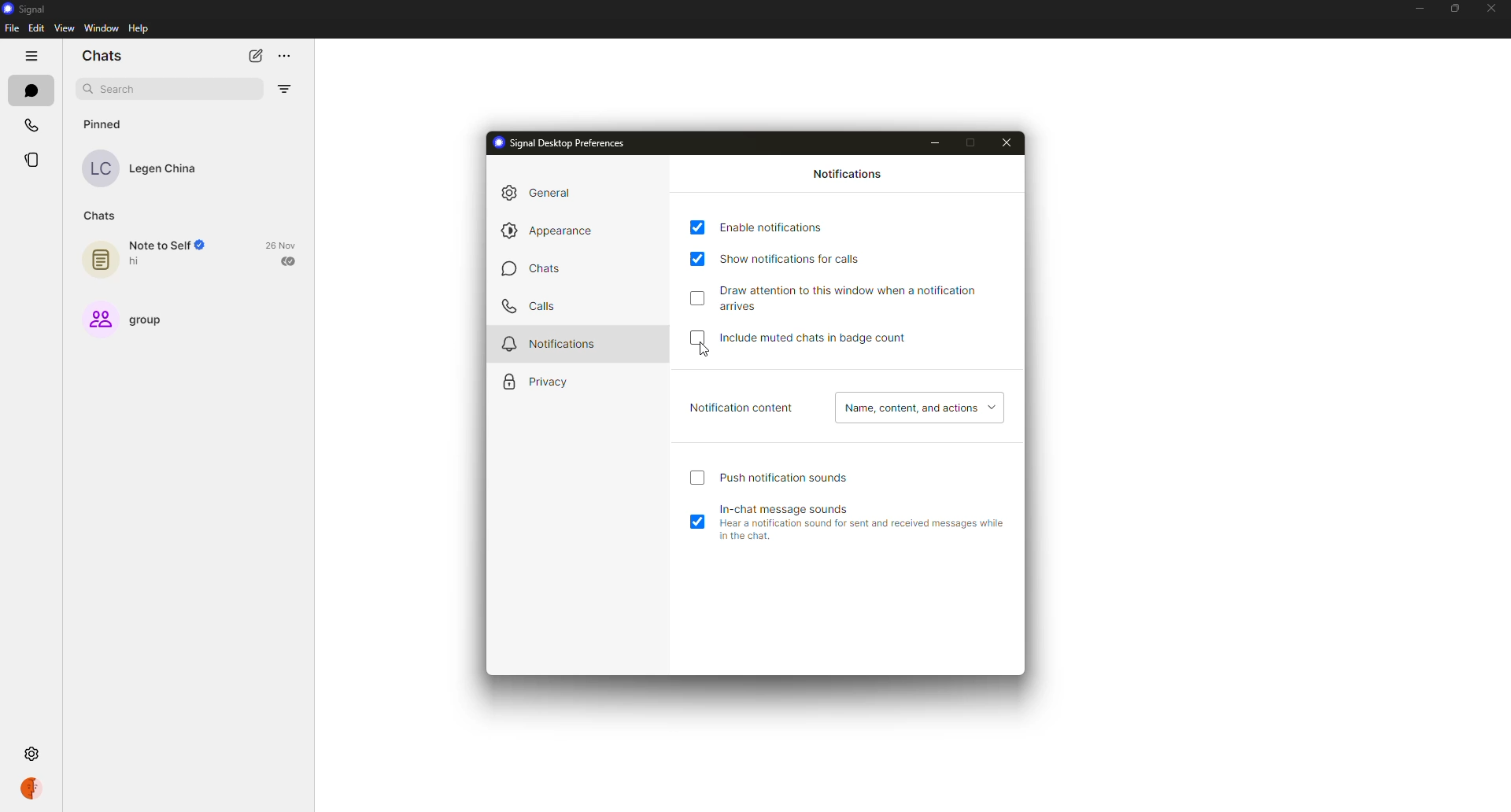 The width and height of the screenshot is (1511, 812). I want to click on signal desktop preferences, so click(558, 145).